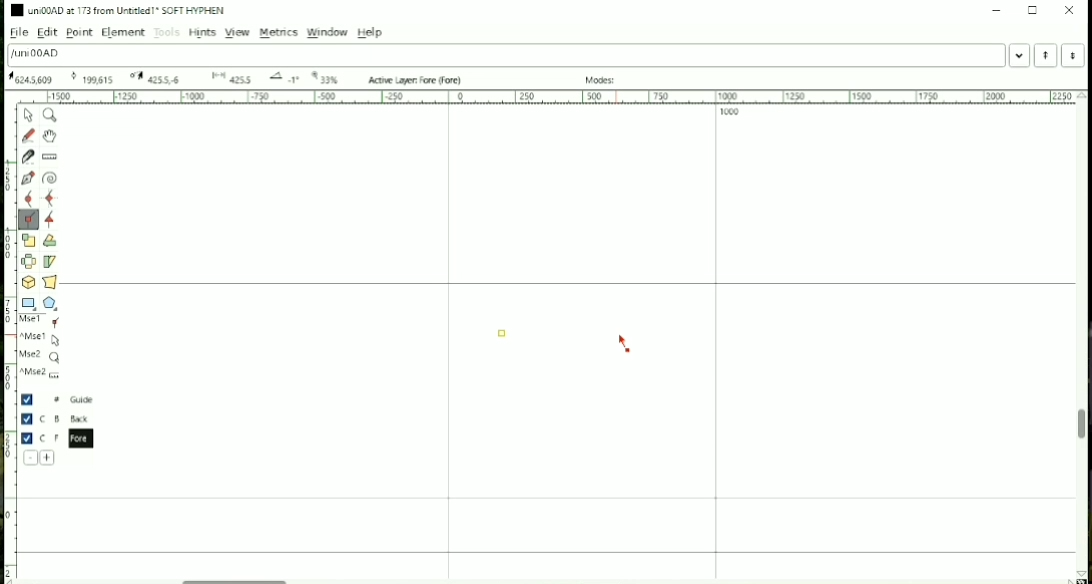 The image size is (1092, 584). Describe the element at coordinates (547, 97) in the screenshot. I see `Horizontal scale` at that location.